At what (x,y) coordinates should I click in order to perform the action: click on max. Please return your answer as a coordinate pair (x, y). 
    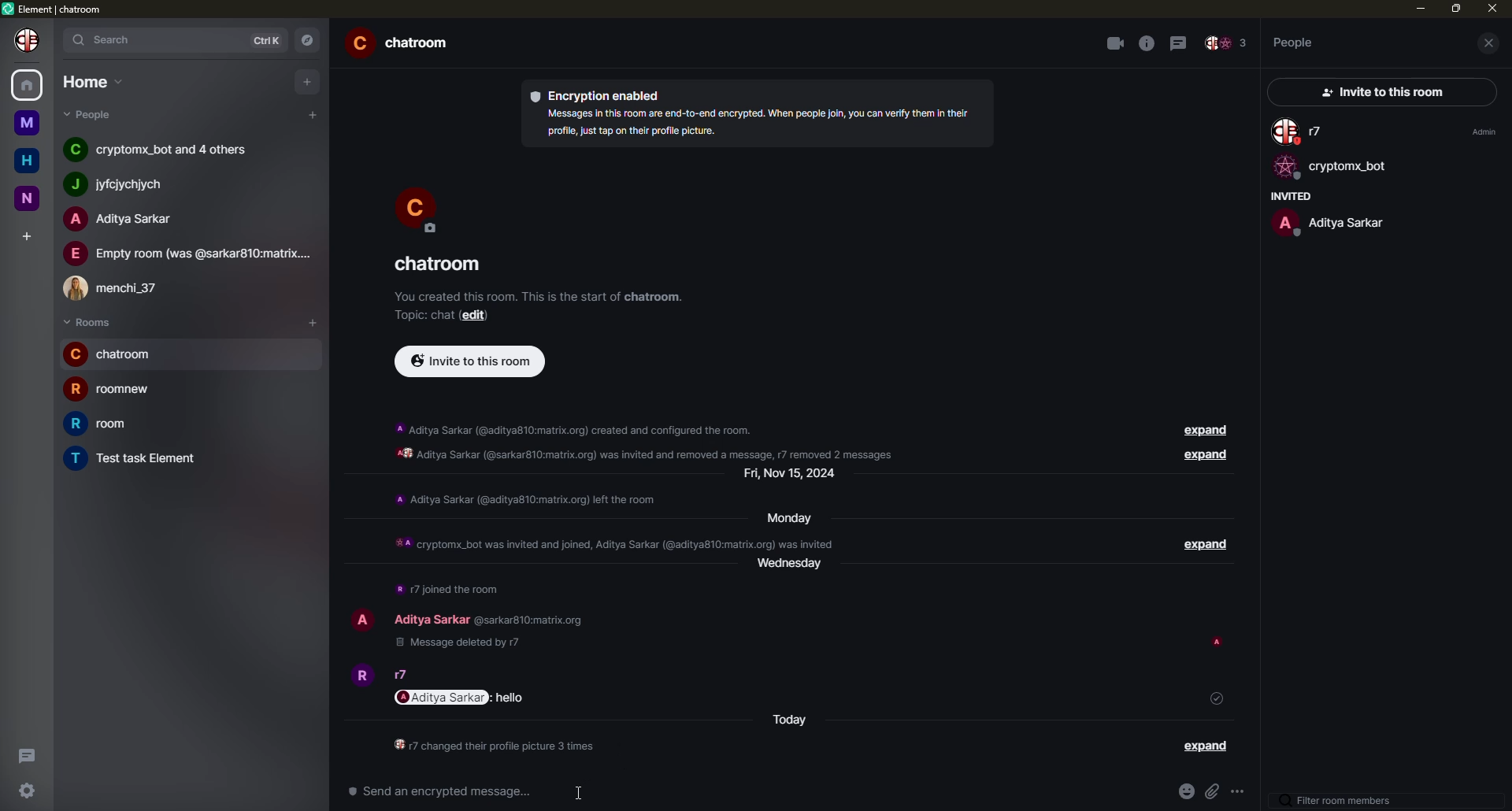
    Looking at the image, I should click on (1457, 8).